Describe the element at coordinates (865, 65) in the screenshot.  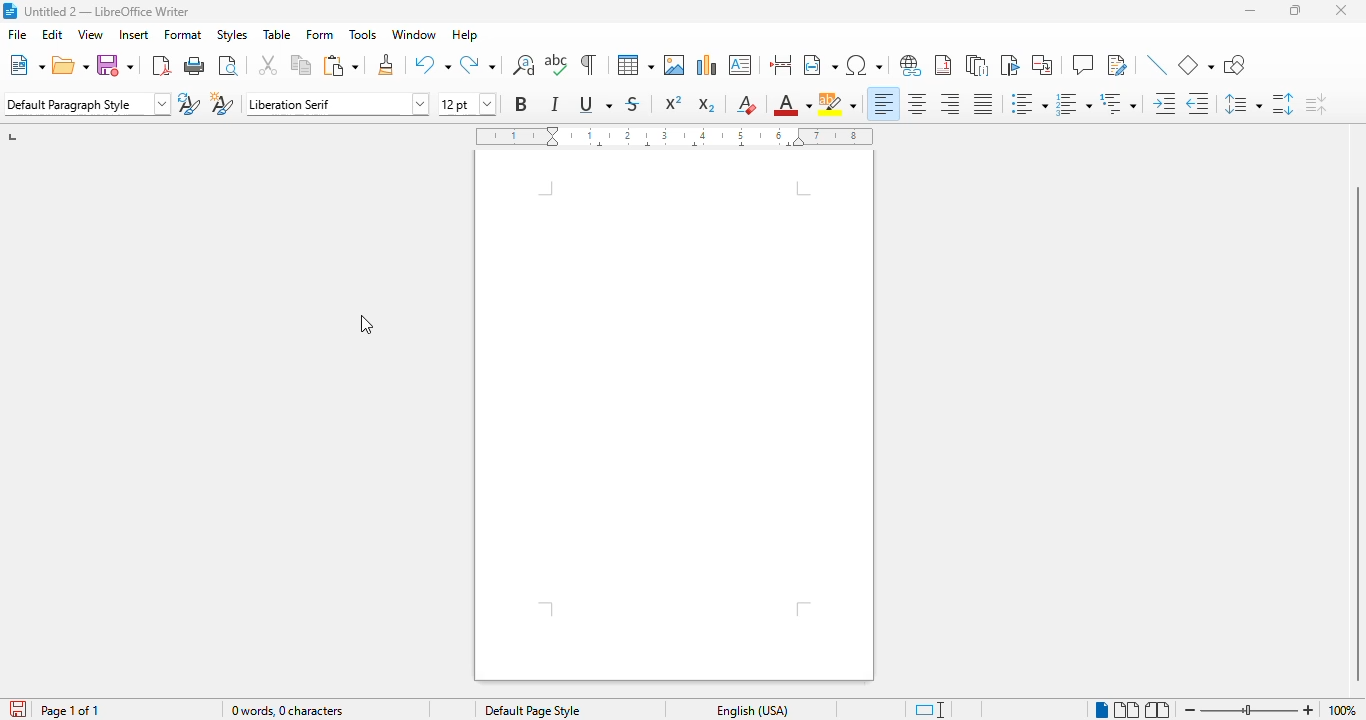
I see `insert special characters` at that location.